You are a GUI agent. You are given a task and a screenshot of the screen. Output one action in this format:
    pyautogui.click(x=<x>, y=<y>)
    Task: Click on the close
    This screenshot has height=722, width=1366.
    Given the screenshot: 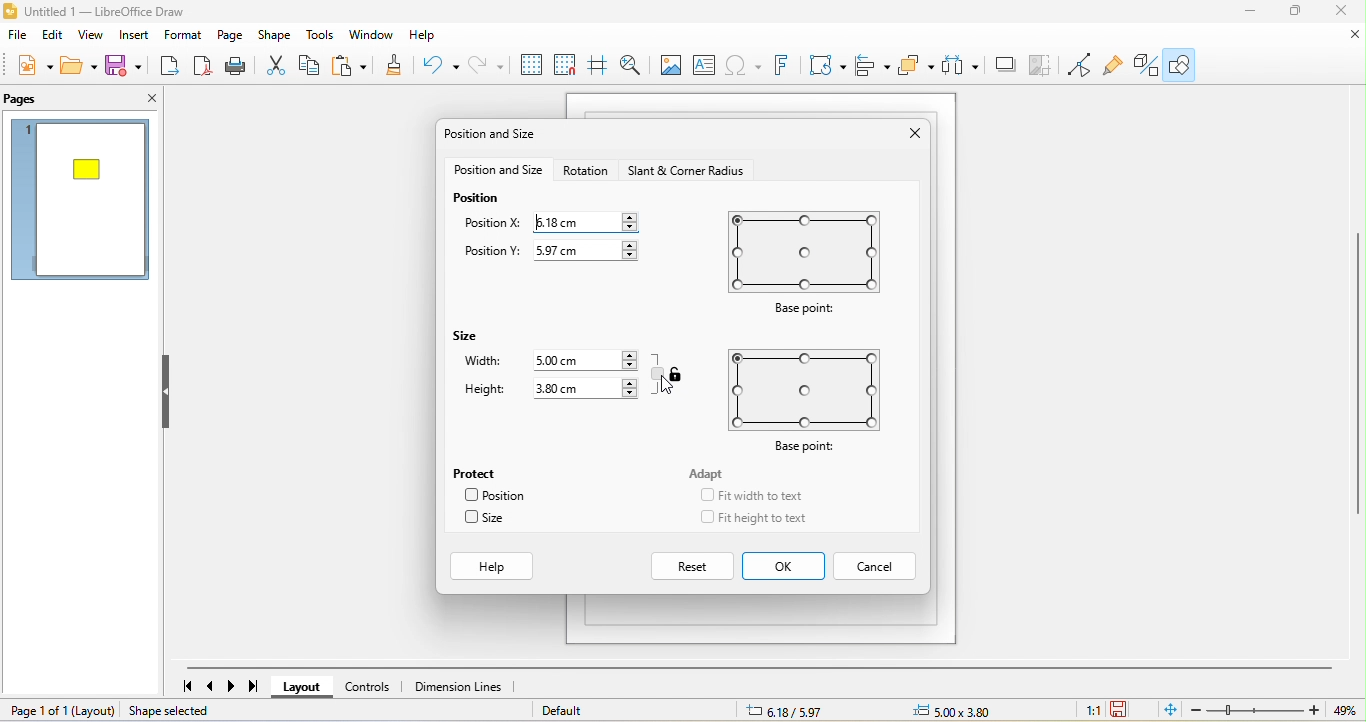 What is the action you would take?
    pyautogui.click(x=1351, y=36)
    